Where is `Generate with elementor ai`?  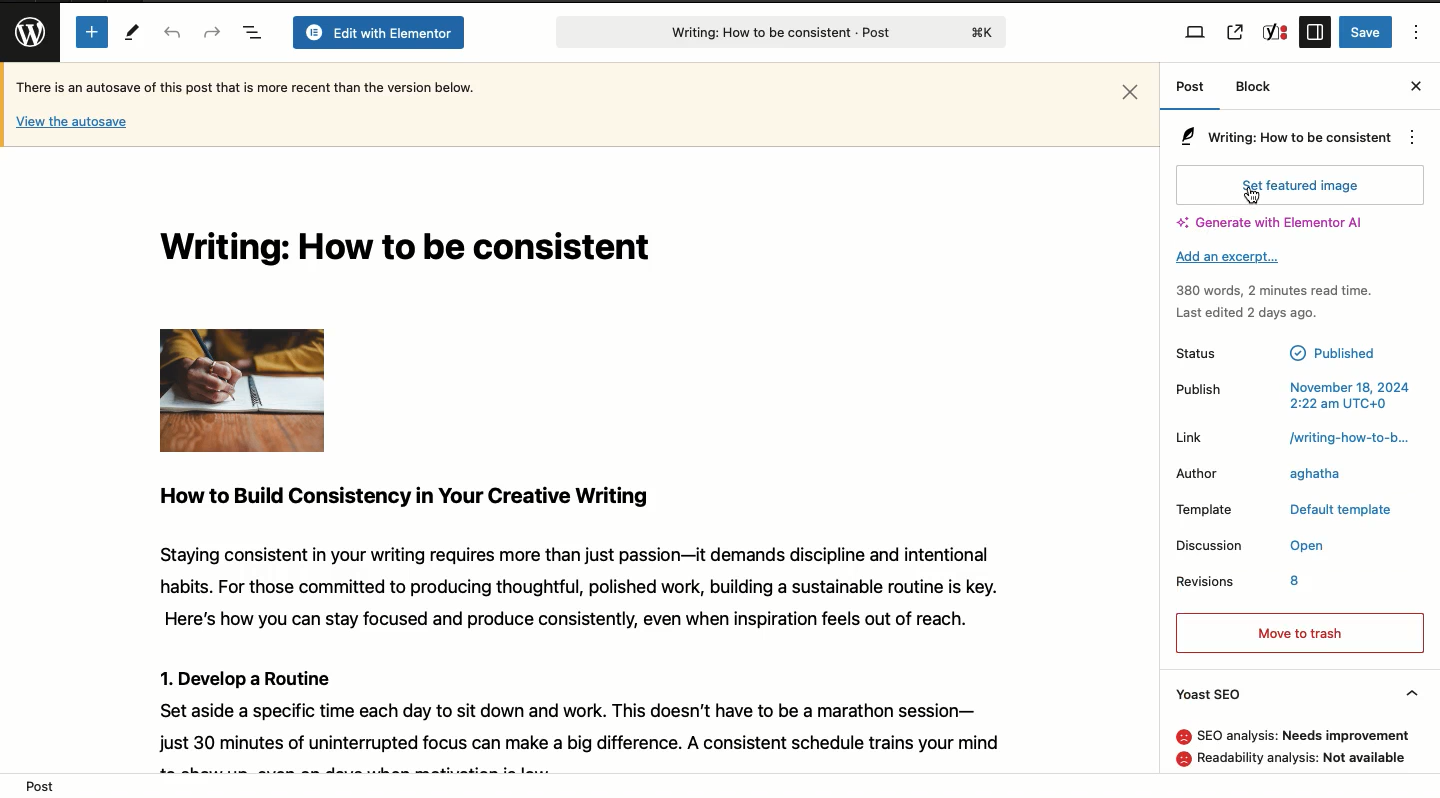
Generate with elementor ai is located at coordinates (1277, 221).